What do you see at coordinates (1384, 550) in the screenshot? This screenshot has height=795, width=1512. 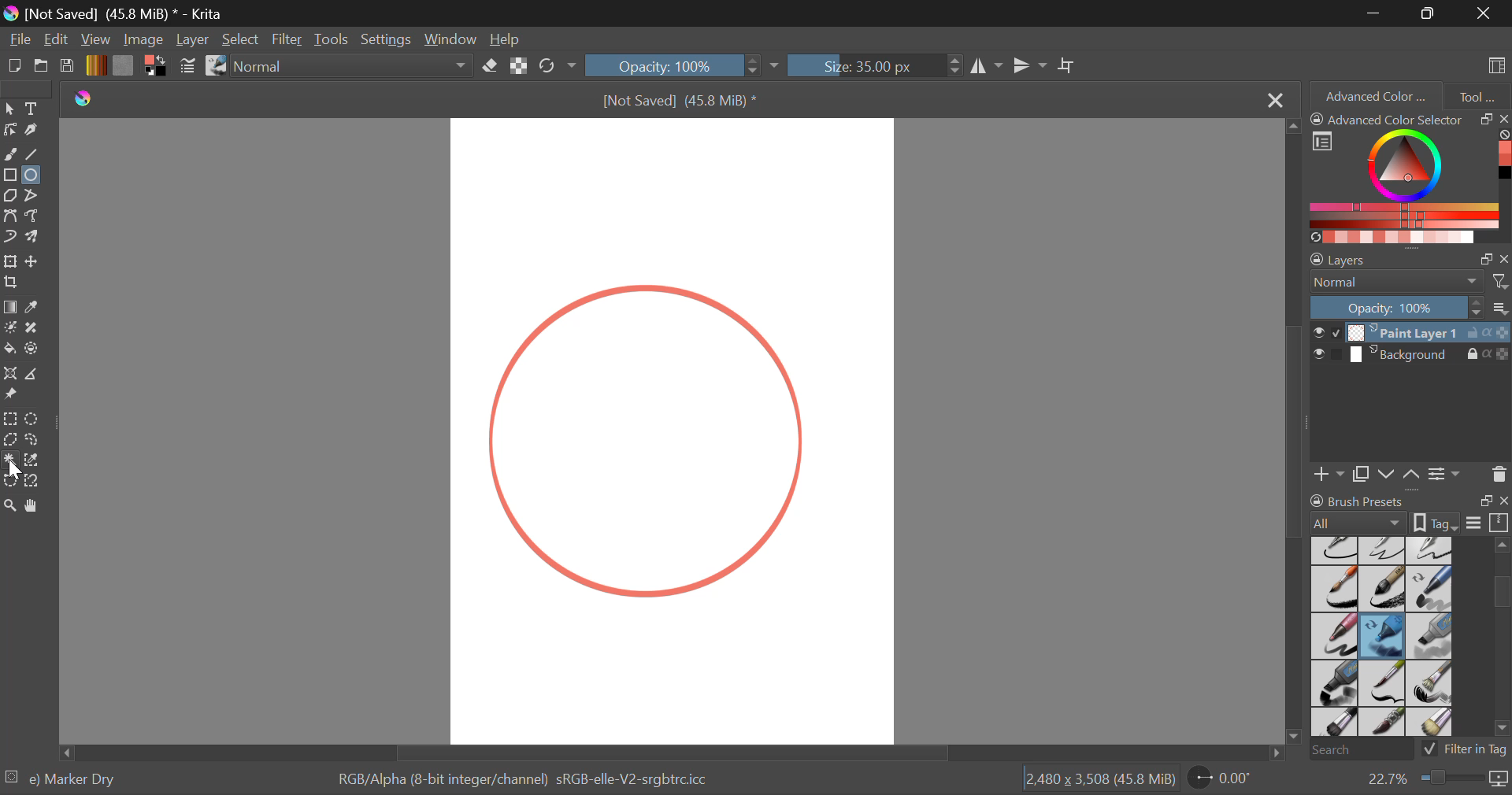 I see `Ink-3 Gpen` at bounding box center [1384, 550].